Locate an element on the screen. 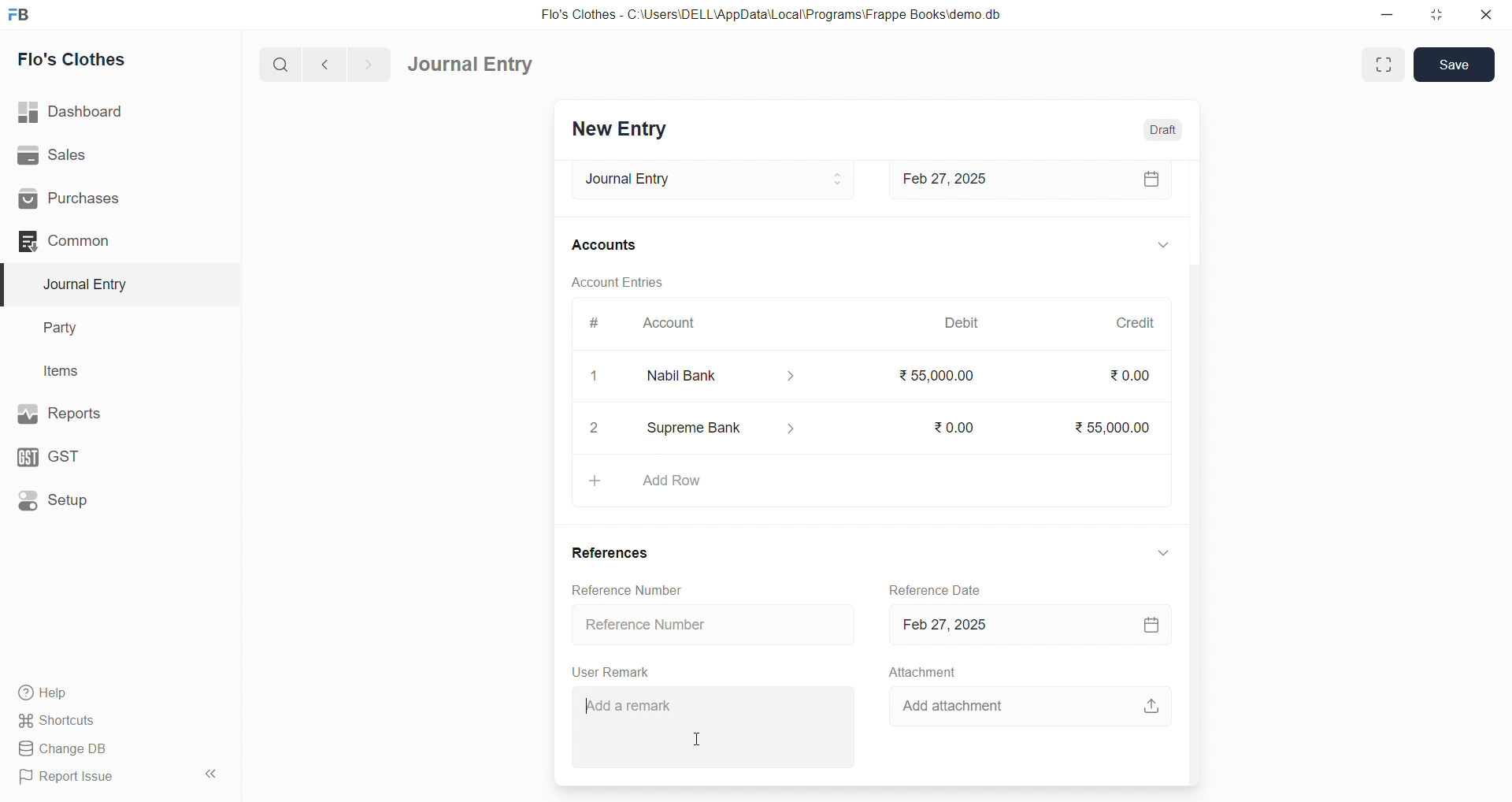 The height and width of the screenshot is (802, 1512). Supreme Bank is located at coordinates (726, 425).